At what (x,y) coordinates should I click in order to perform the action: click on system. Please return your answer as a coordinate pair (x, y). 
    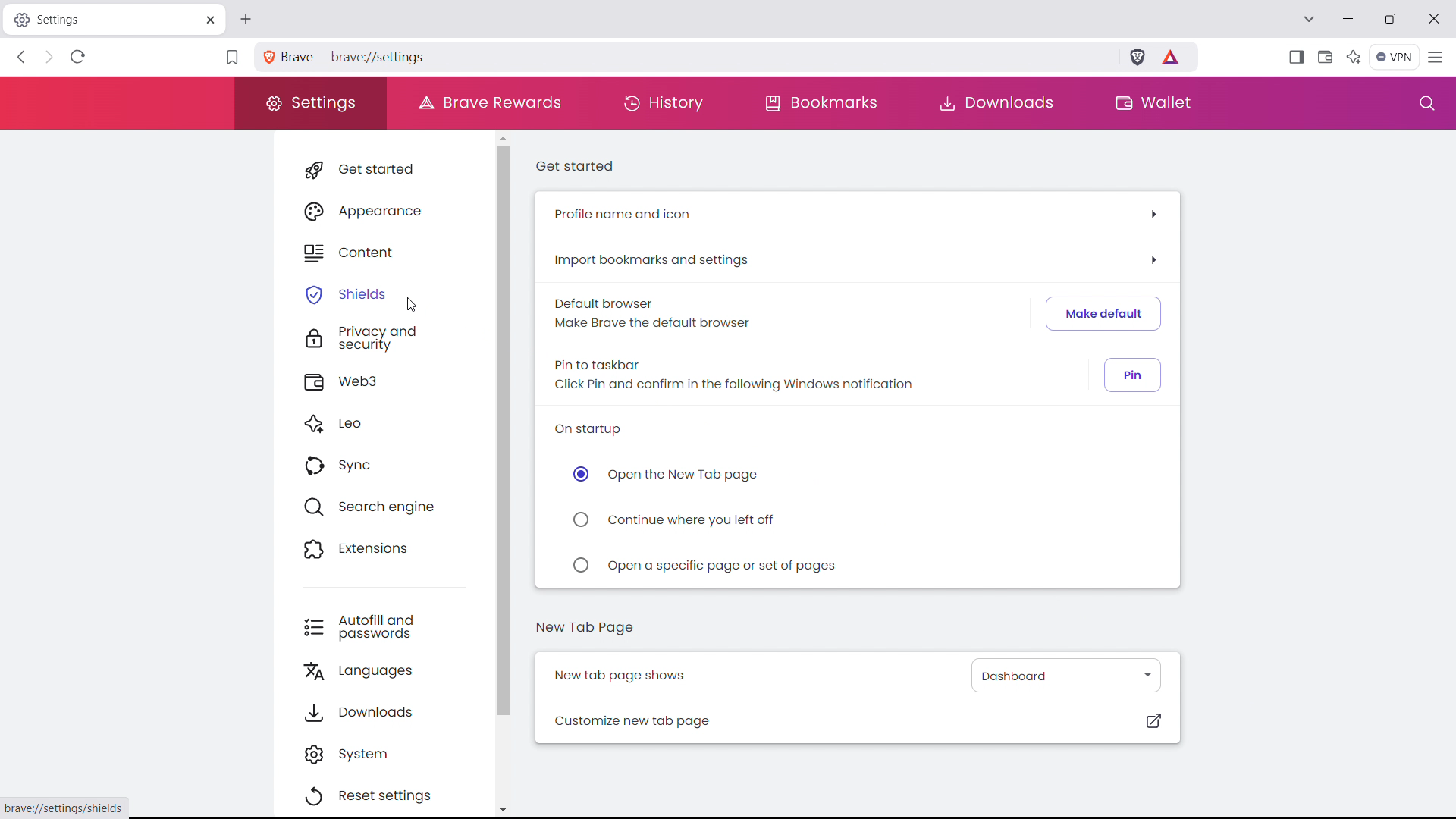
    Looking at the image, I should click on (380, 752).